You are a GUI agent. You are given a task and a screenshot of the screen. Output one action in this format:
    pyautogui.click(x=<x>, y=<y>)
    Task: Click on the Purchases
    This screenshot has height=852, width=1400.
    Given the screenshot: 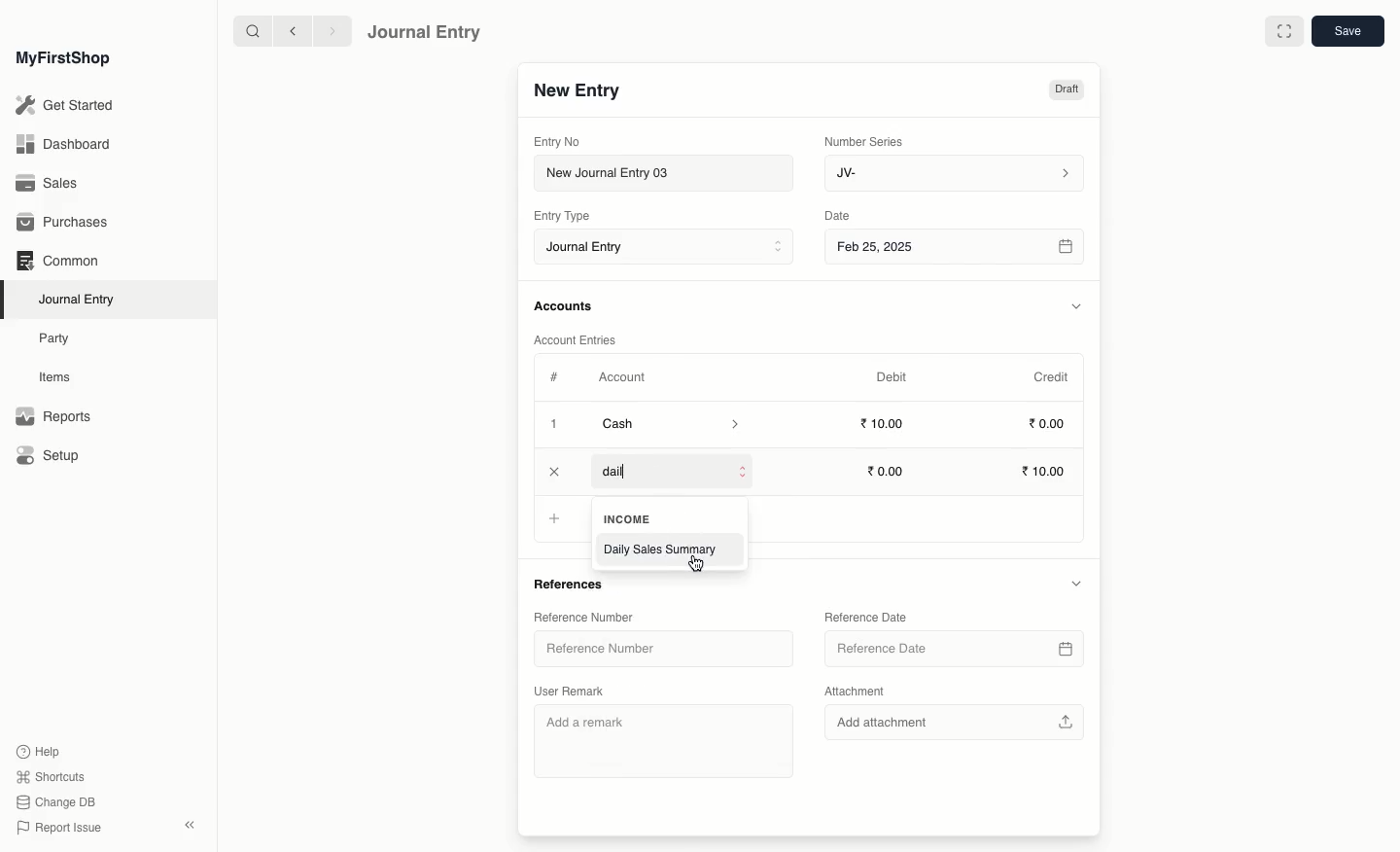 What is the action you would take?
    pyautogui.click(x=67, y=223)
    